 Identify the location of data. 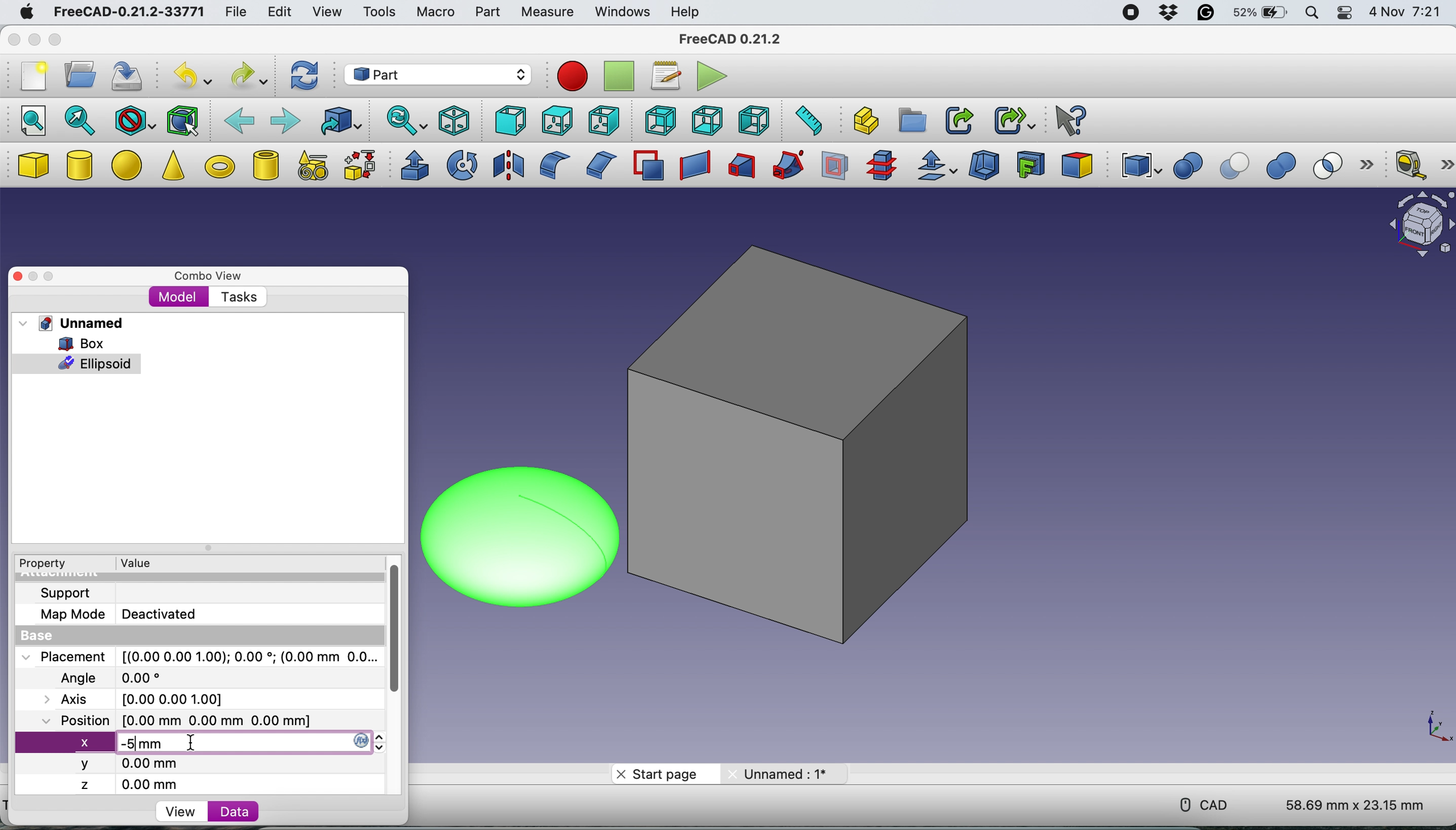
(227, 811).